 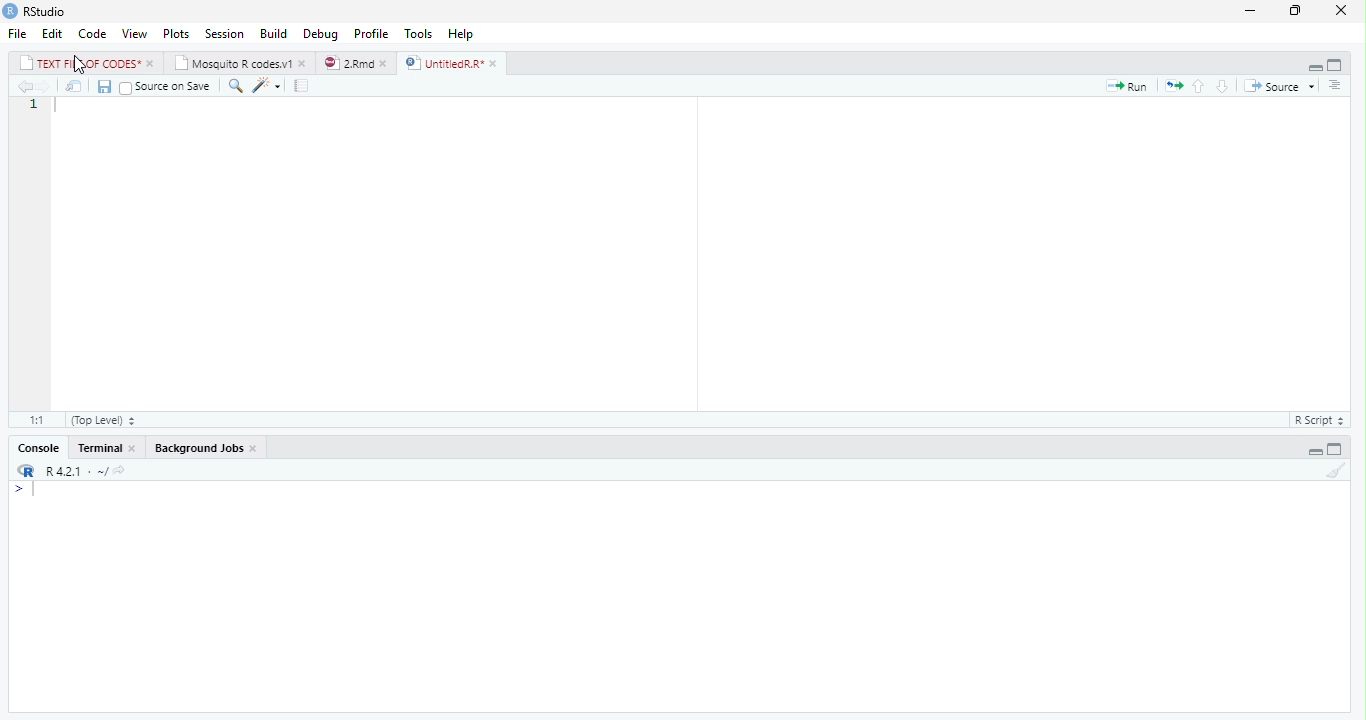 I want to click on Guidelines, so click(x=303, y=86).